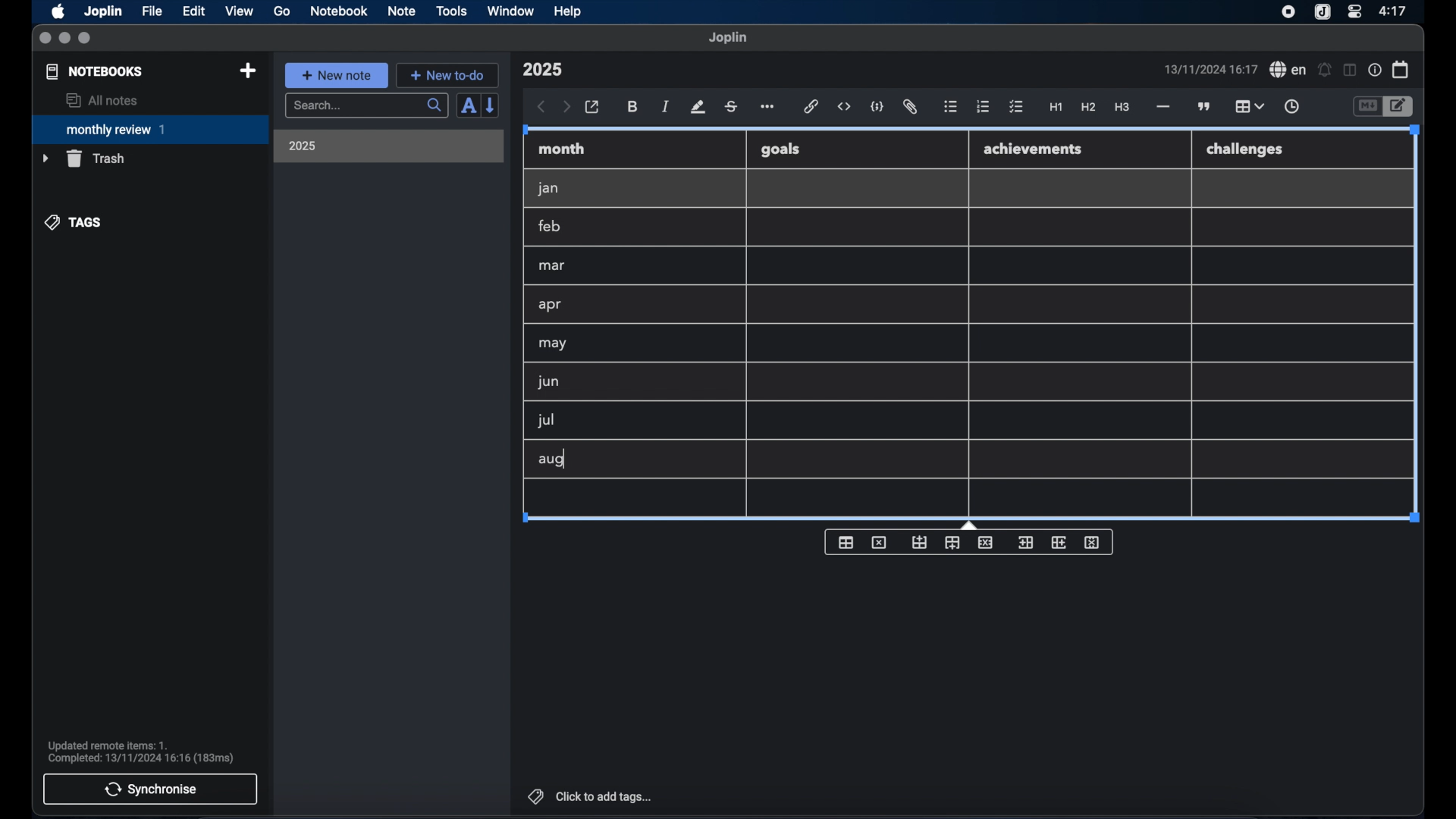 The height and width of the screenshot is (819, 1456). What do you see at coordinates (1354, 11) in the screenshot?
I see `control center` at bounding box center [1354, 11].